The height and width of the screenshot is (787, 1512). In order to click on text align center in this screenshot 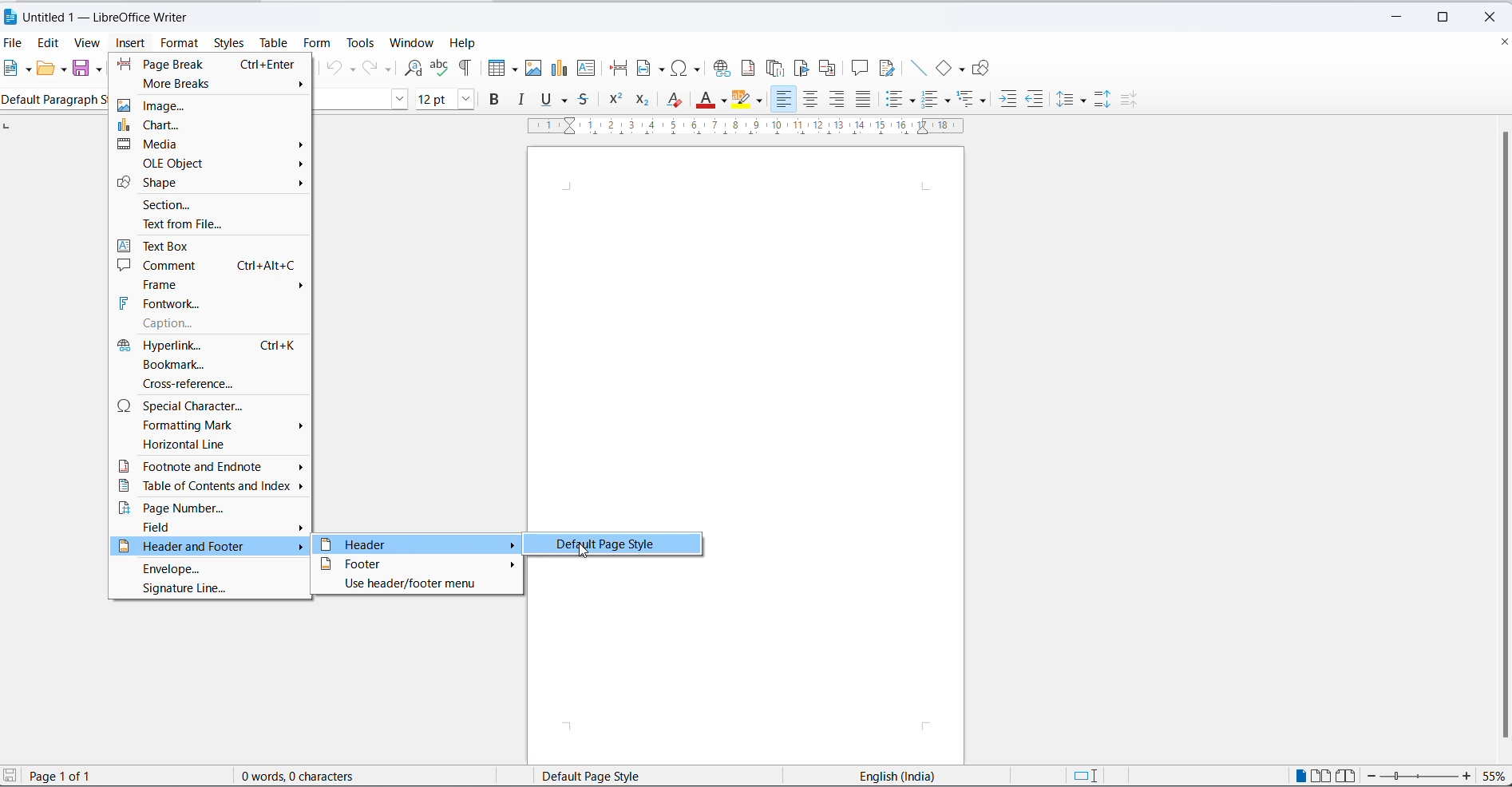, I will do `click(809, 100)`.